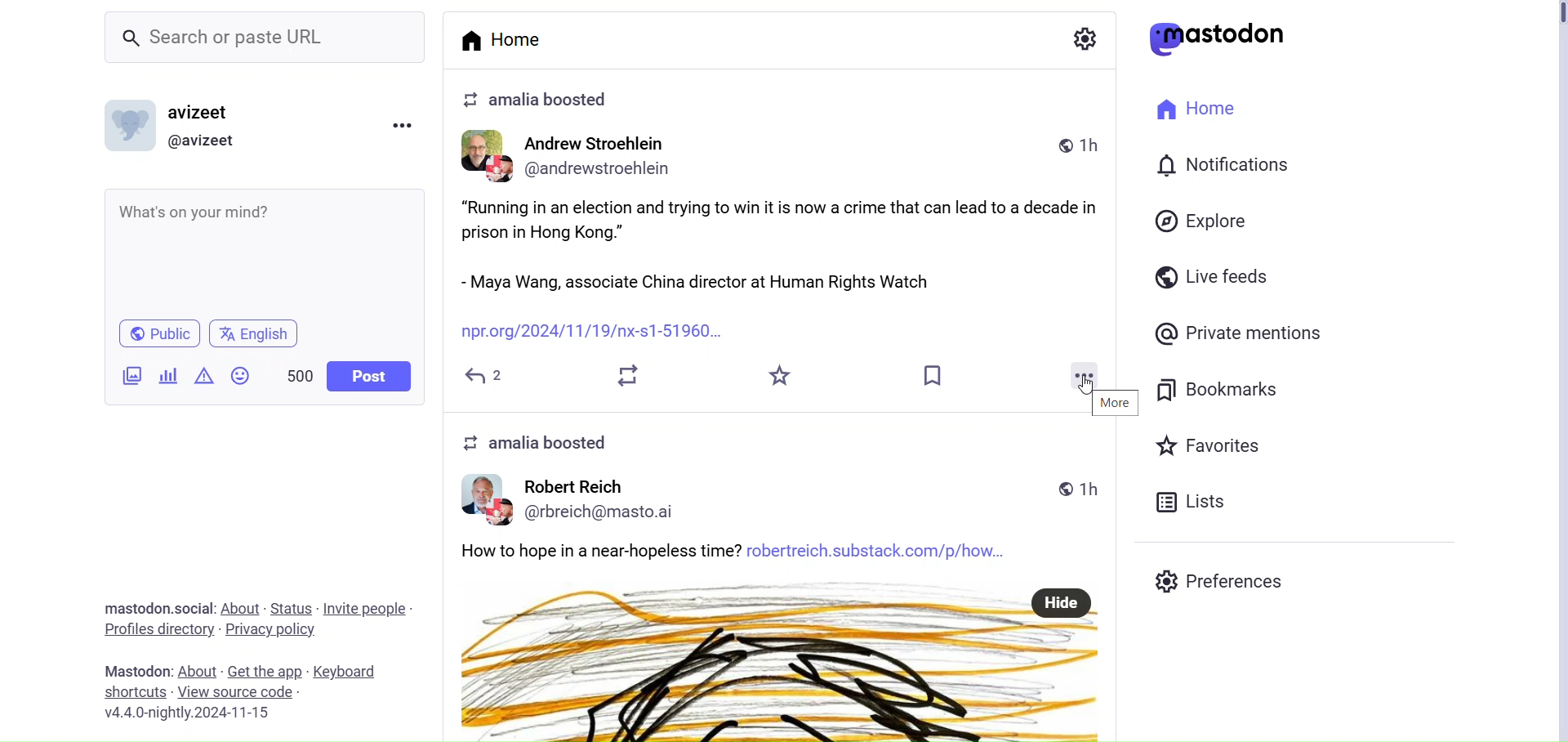 Image resolution: width=1568 pixels, height=742 pixels. What do you see at coordinates (791, 246) in the screenshot?
I see `First Post` at bounding box center [791, 246].